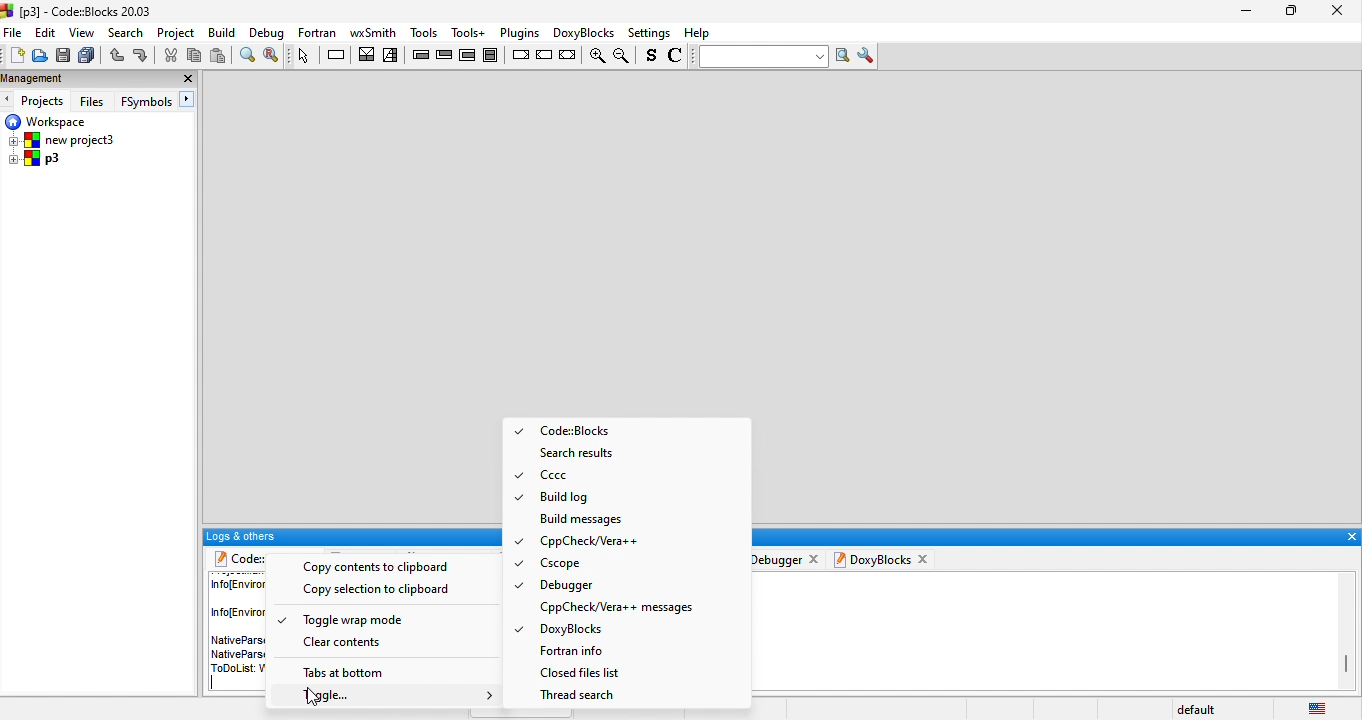 The image size is (1362, 720). I want to click on copy selection to clipboard, so click(386, 591).